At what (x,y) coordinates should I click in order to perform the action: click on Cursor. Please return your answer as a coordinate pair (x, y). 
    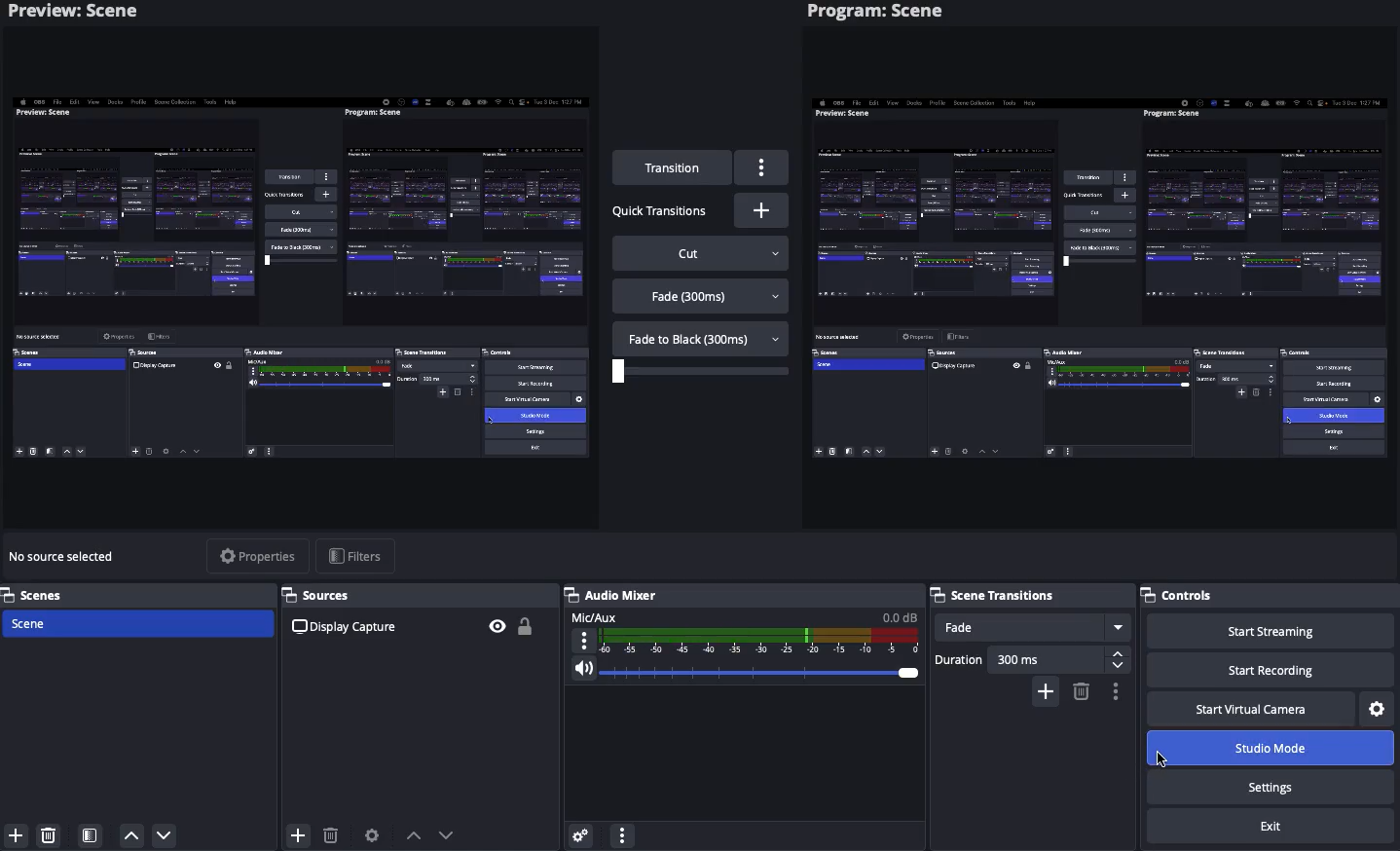
    Looking at the image, I should click on (1161, 761).